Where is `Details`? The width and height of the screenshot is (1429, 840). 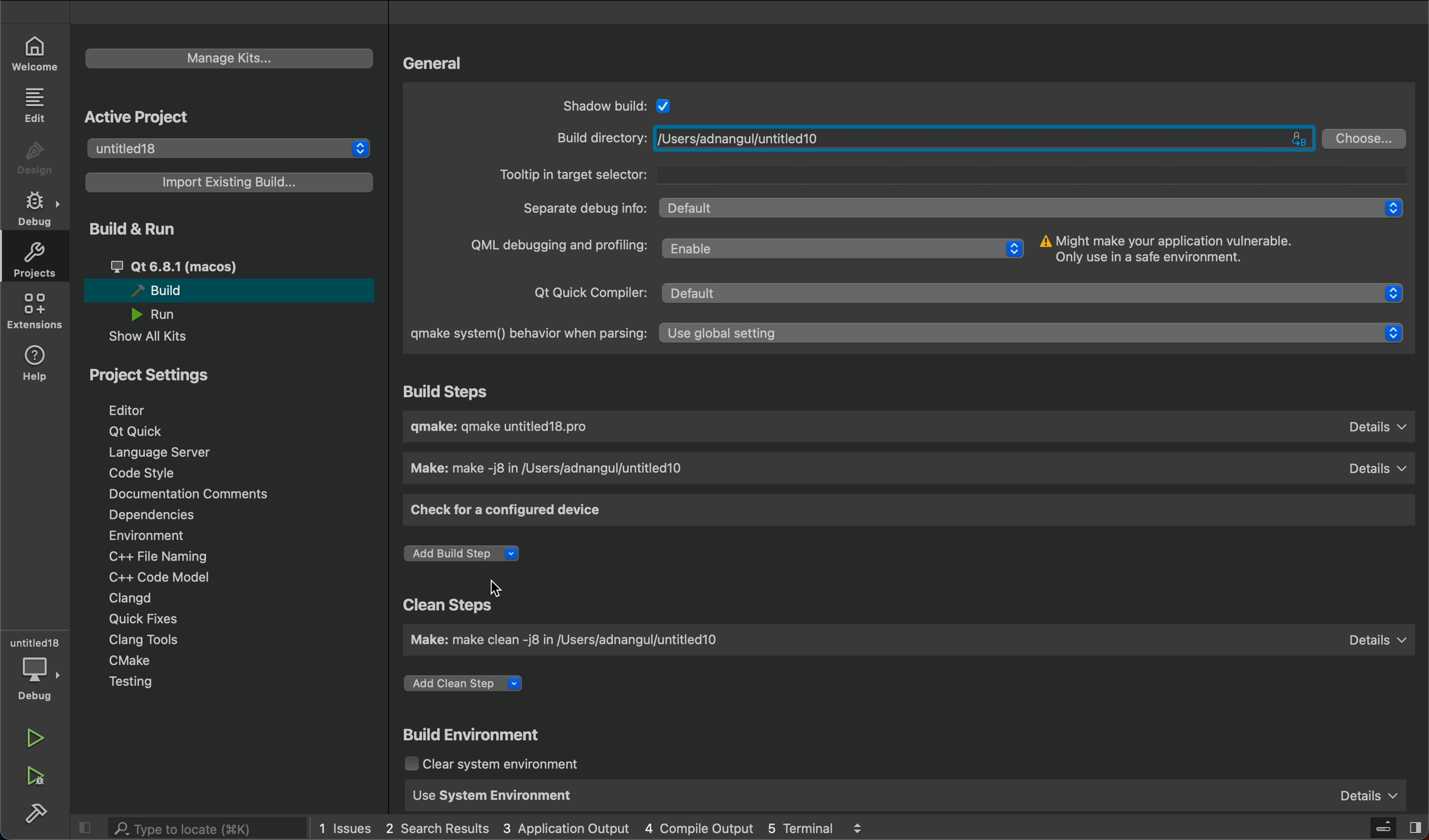 Details is located at coordinates (1378, 638).